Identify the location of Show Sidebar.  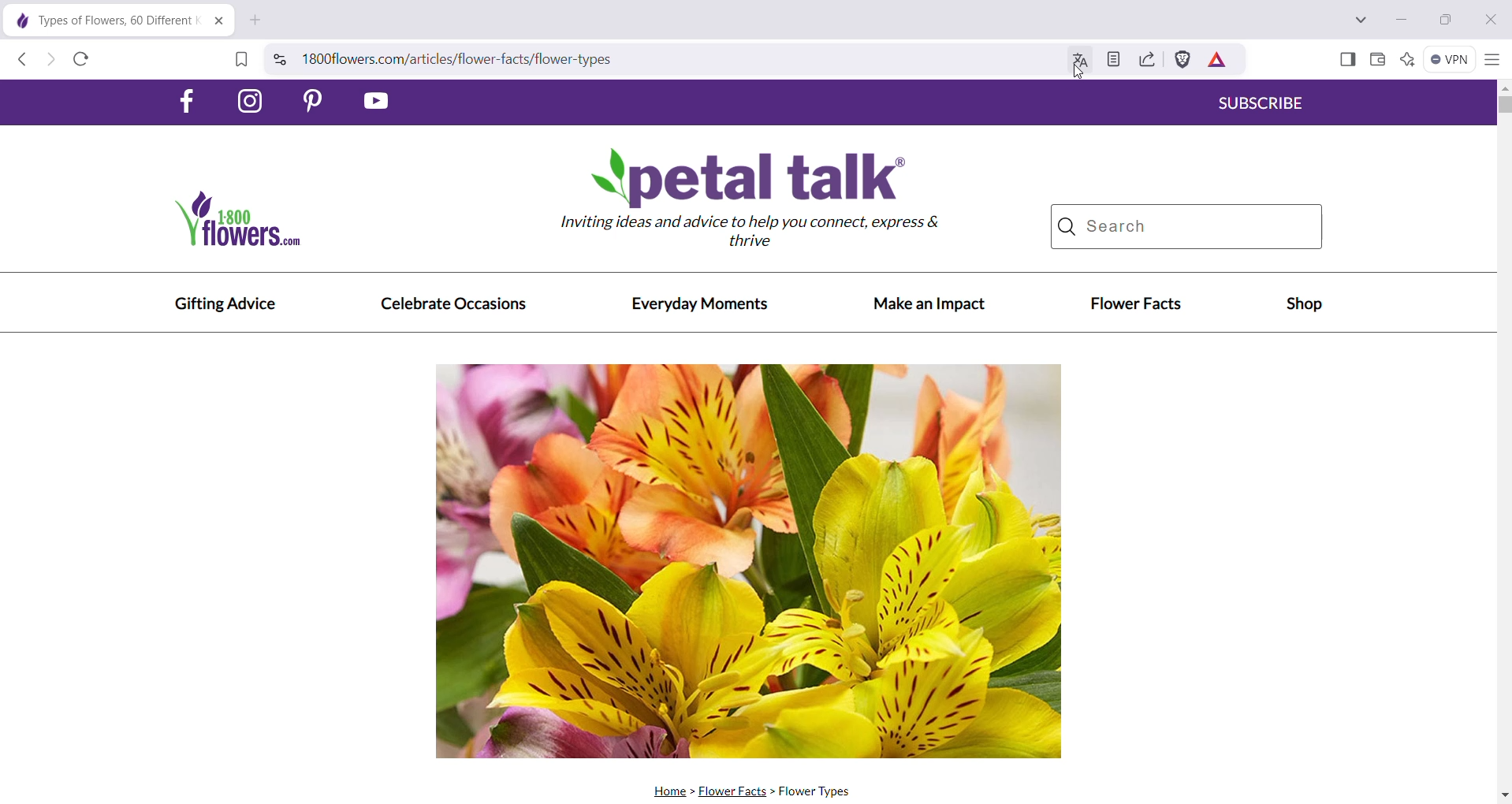
(1347, 60).